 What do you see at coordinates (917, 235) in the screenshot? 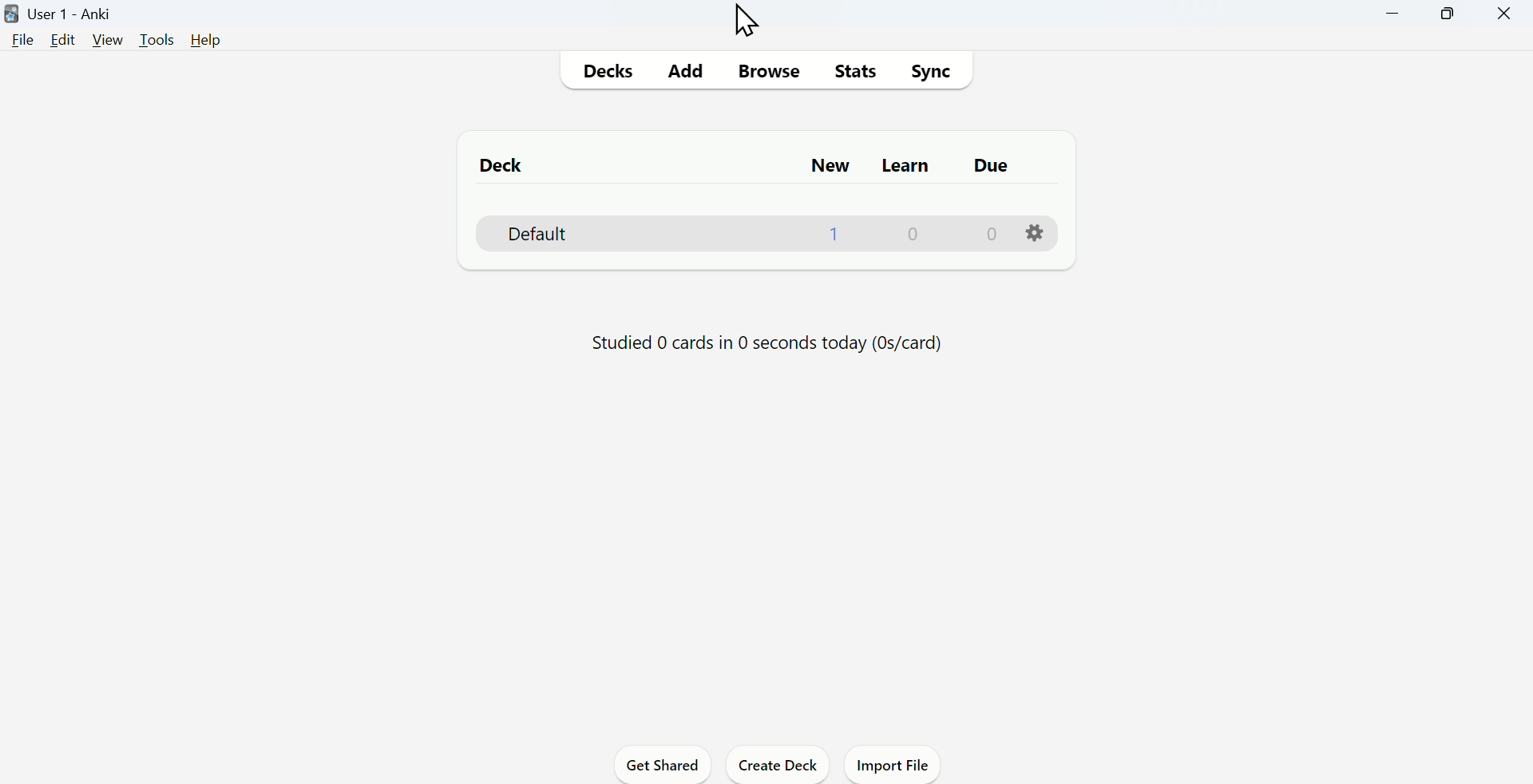
I see `0` at bounding box center [917, 235].